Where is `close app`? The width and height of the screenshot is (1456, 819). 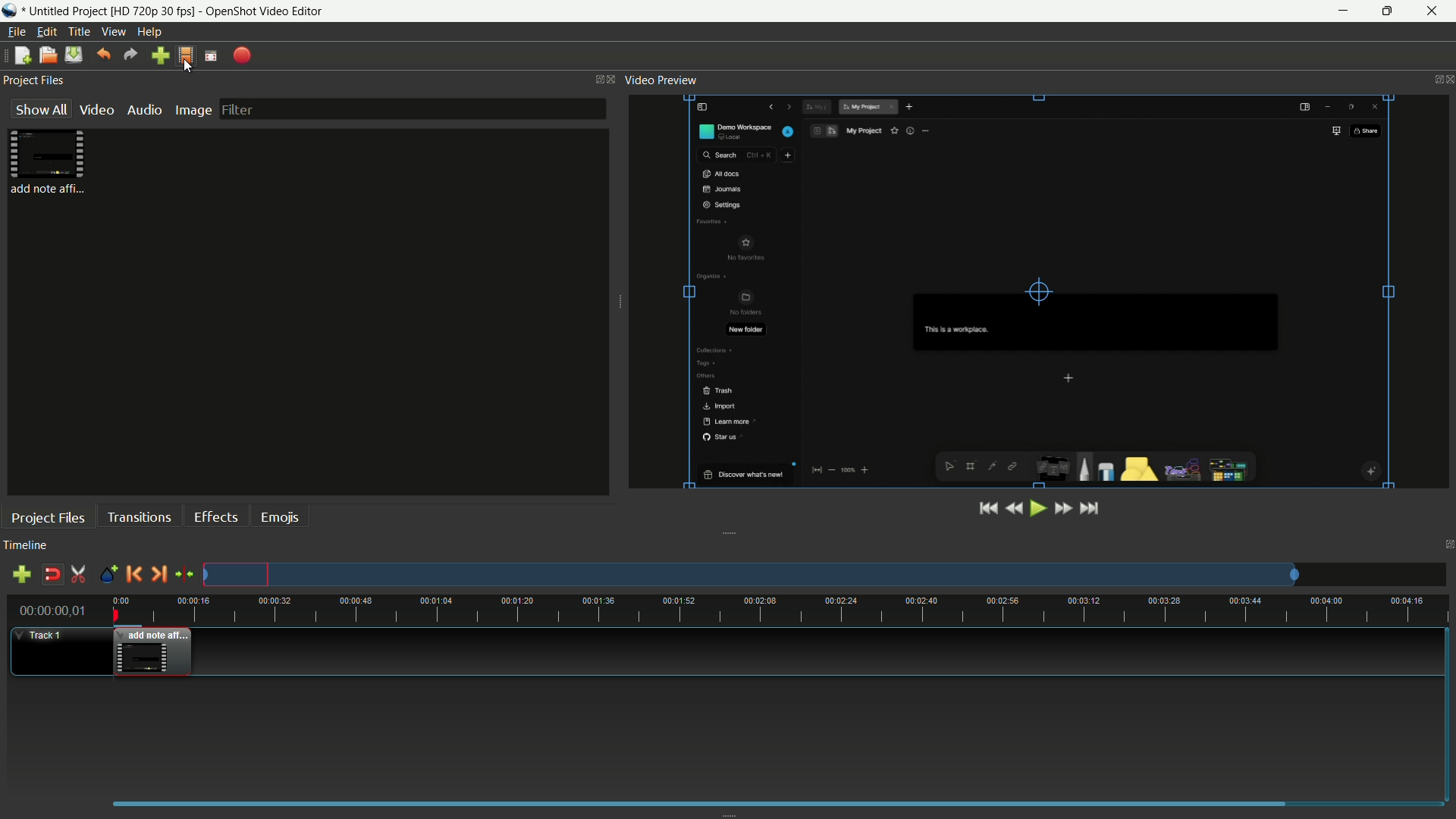 close app is located at coordinates (1437, 11).